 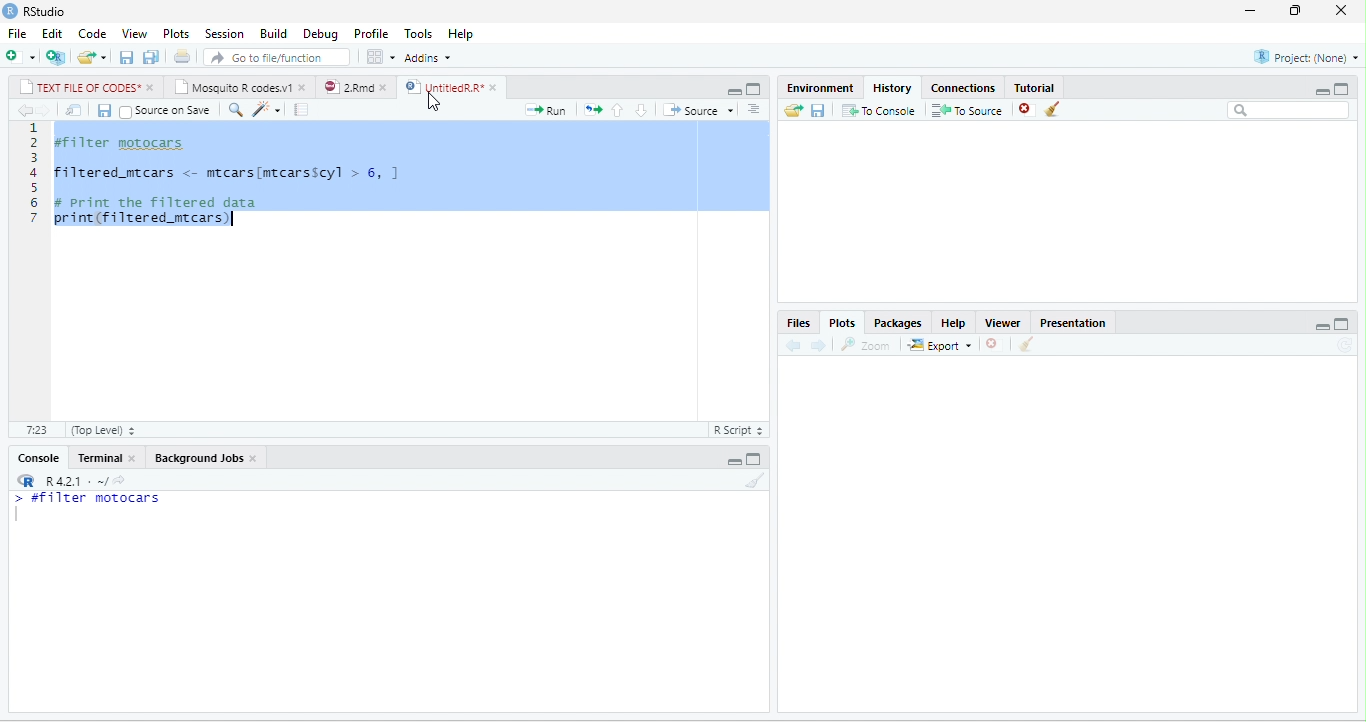 What do you see at coordinates (129, 144) in the screenshot?
I see `#filter motocars` at bounding box center [129, 144].